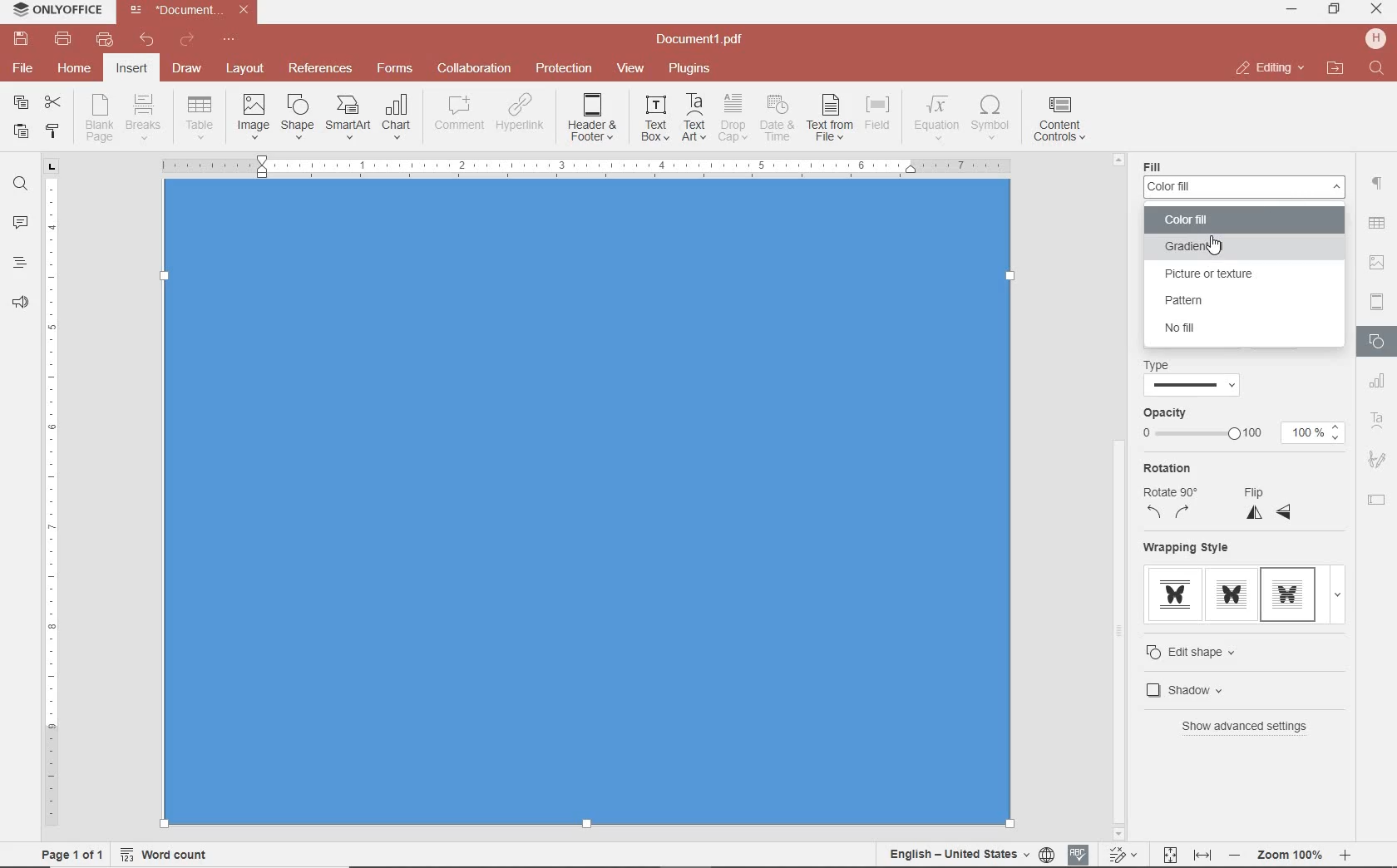  I want to click on OPACITY, so click(1241, 429).